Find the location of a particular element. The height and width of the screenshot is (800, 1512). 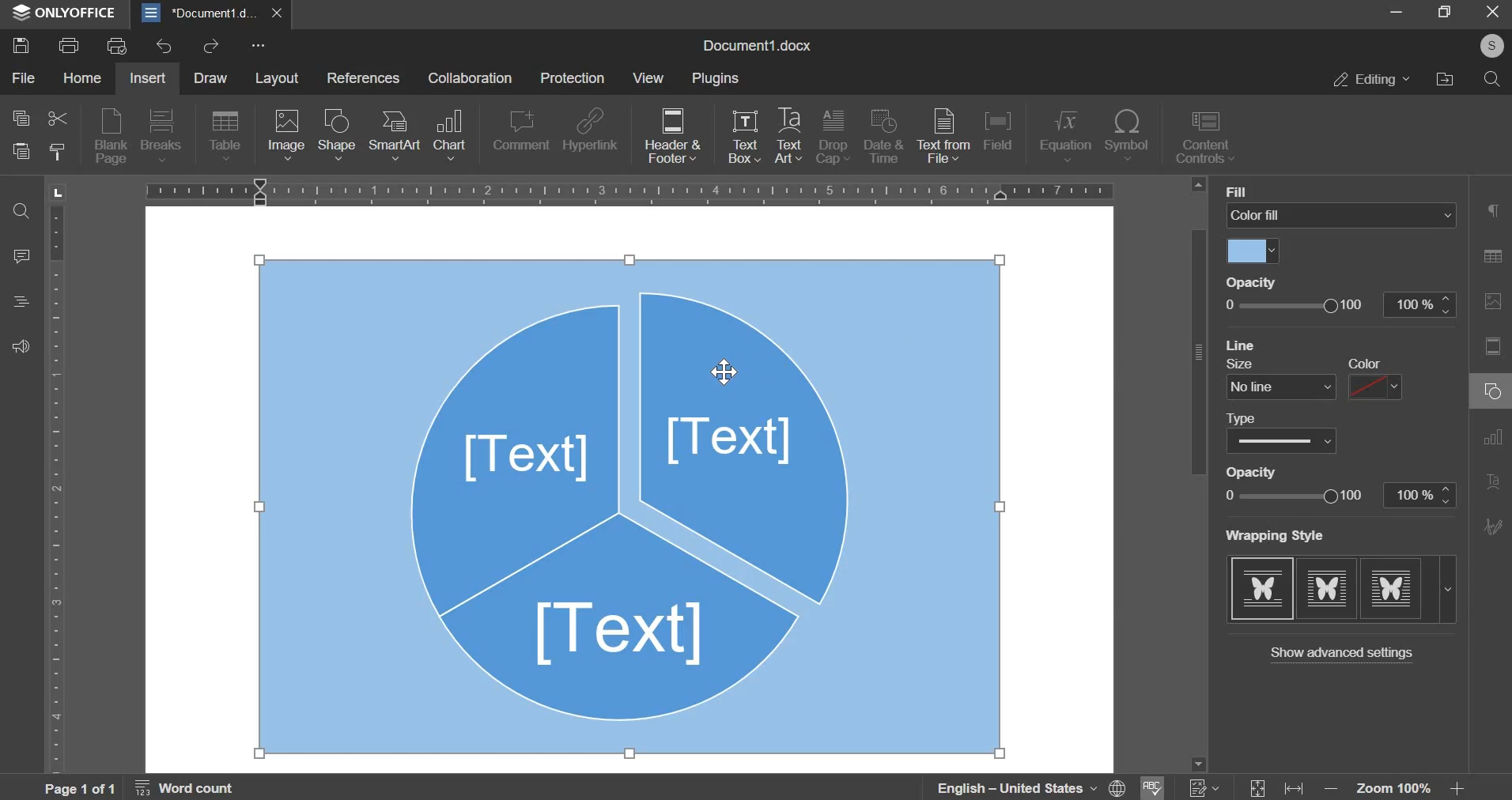

Close is located at coordinates (1492, 13).